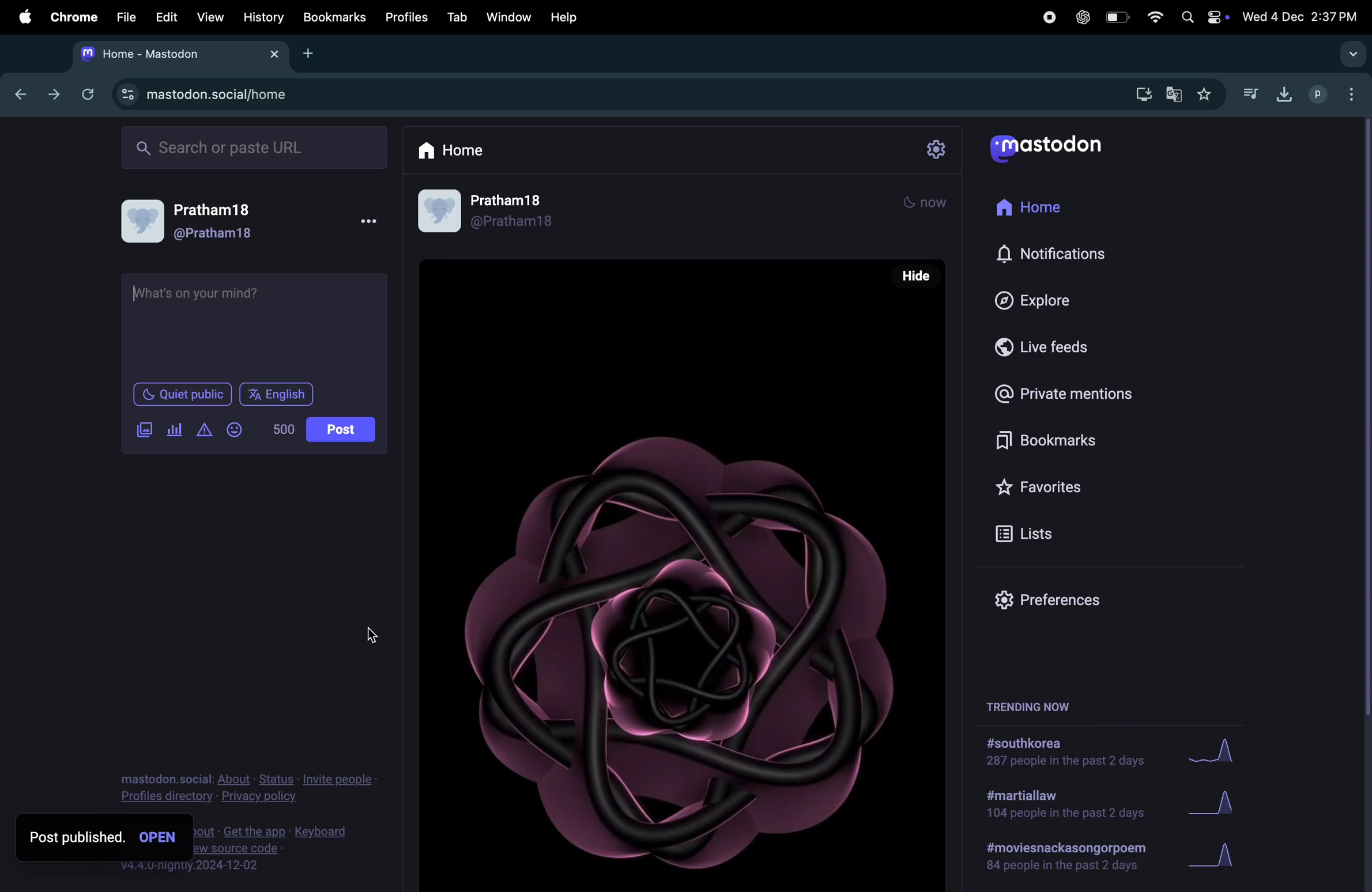 The height and width of the screenshot is (892, 1372). Describe the element at coordinates (163, 16) in the screenshot. I see `Edit` at that location.